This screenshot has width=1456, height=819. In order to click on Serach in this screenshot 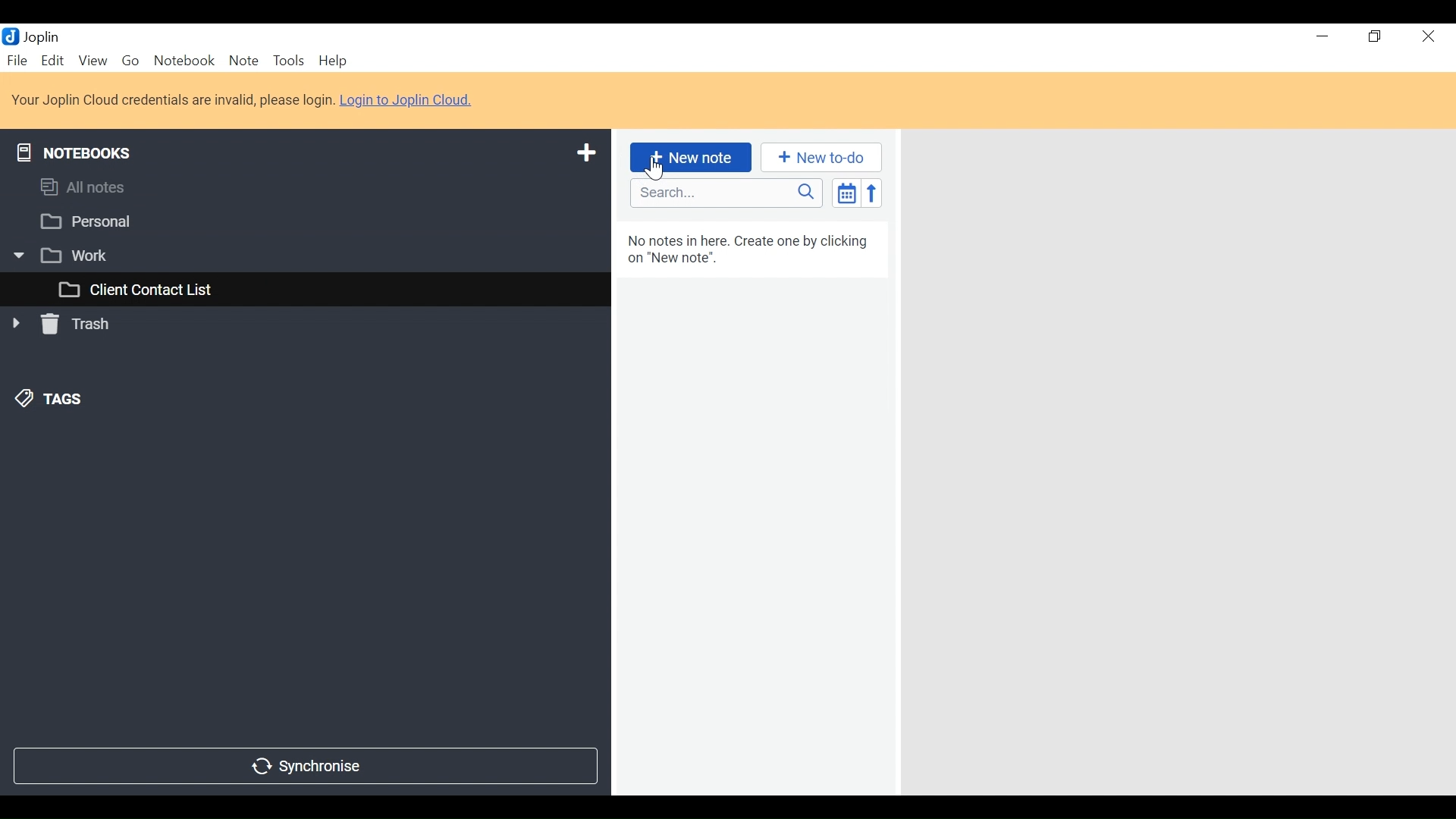, I will do `click(726, 193)`.